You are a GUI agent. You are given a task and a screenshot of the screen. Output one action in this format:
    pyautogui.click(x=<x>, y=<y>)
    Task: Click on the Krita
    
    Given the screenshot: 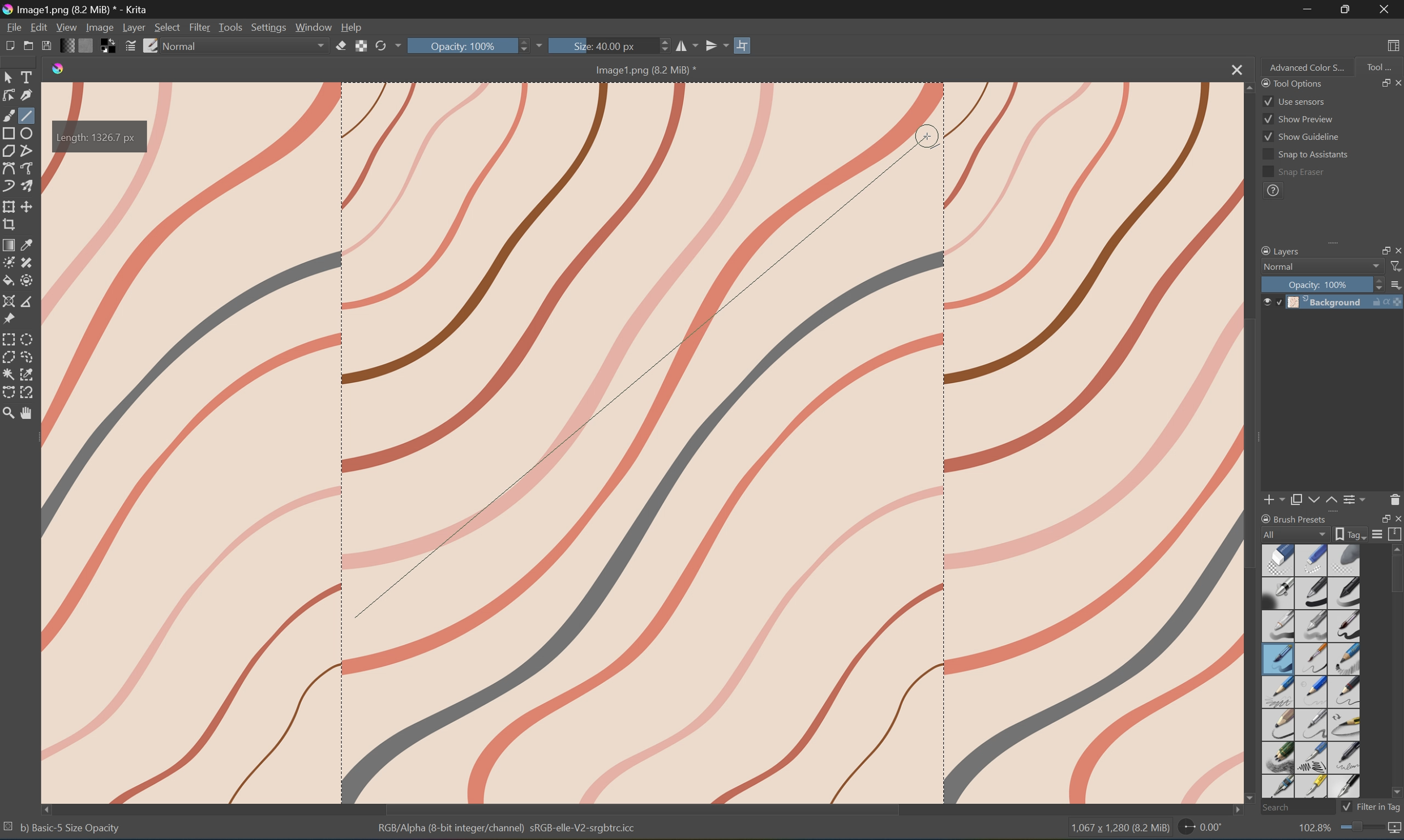 What is the action you would take?
    pyautogui.click(x=59, y=70)
    